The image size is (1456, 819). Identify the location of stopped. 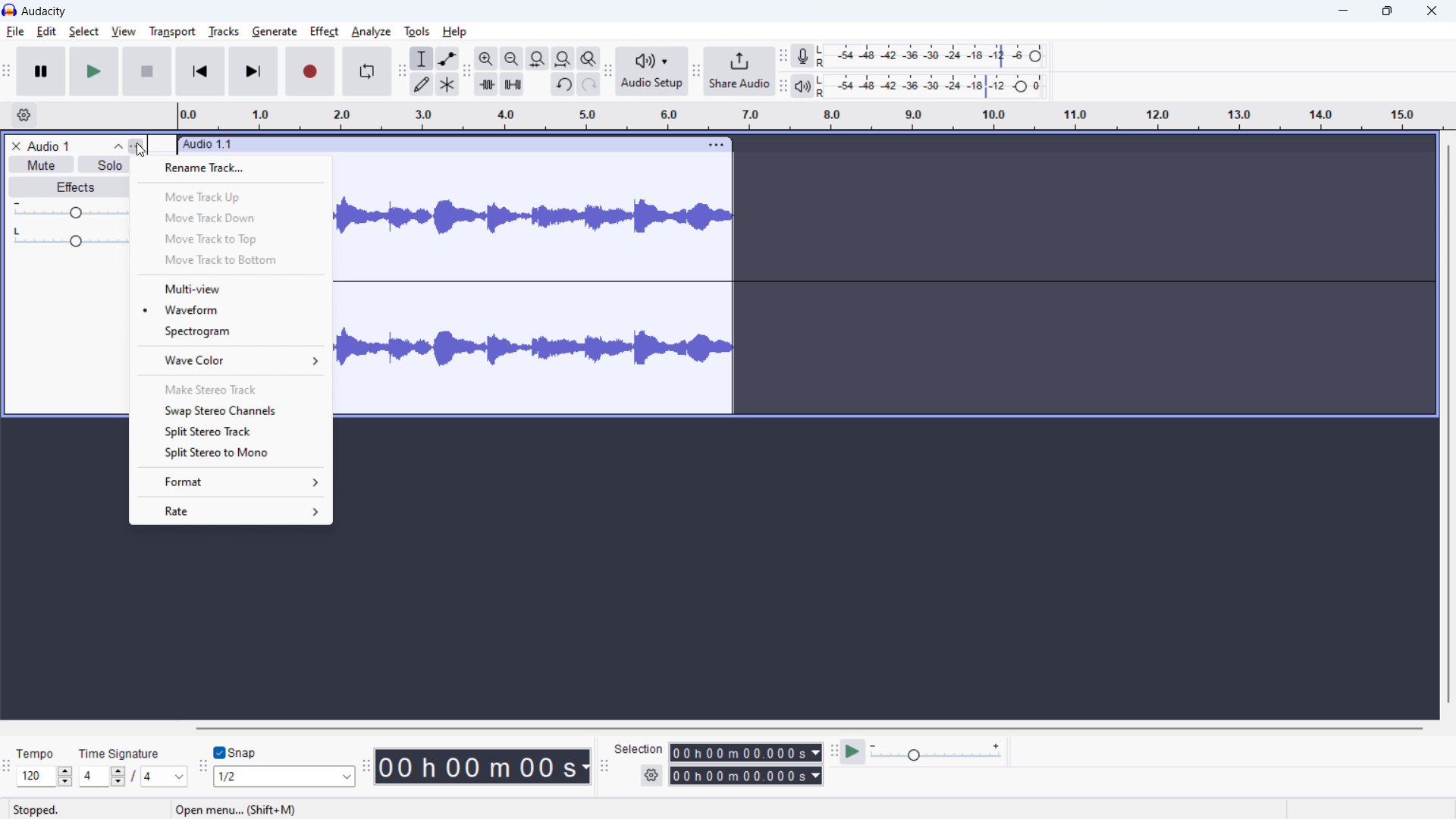
(42, 752).